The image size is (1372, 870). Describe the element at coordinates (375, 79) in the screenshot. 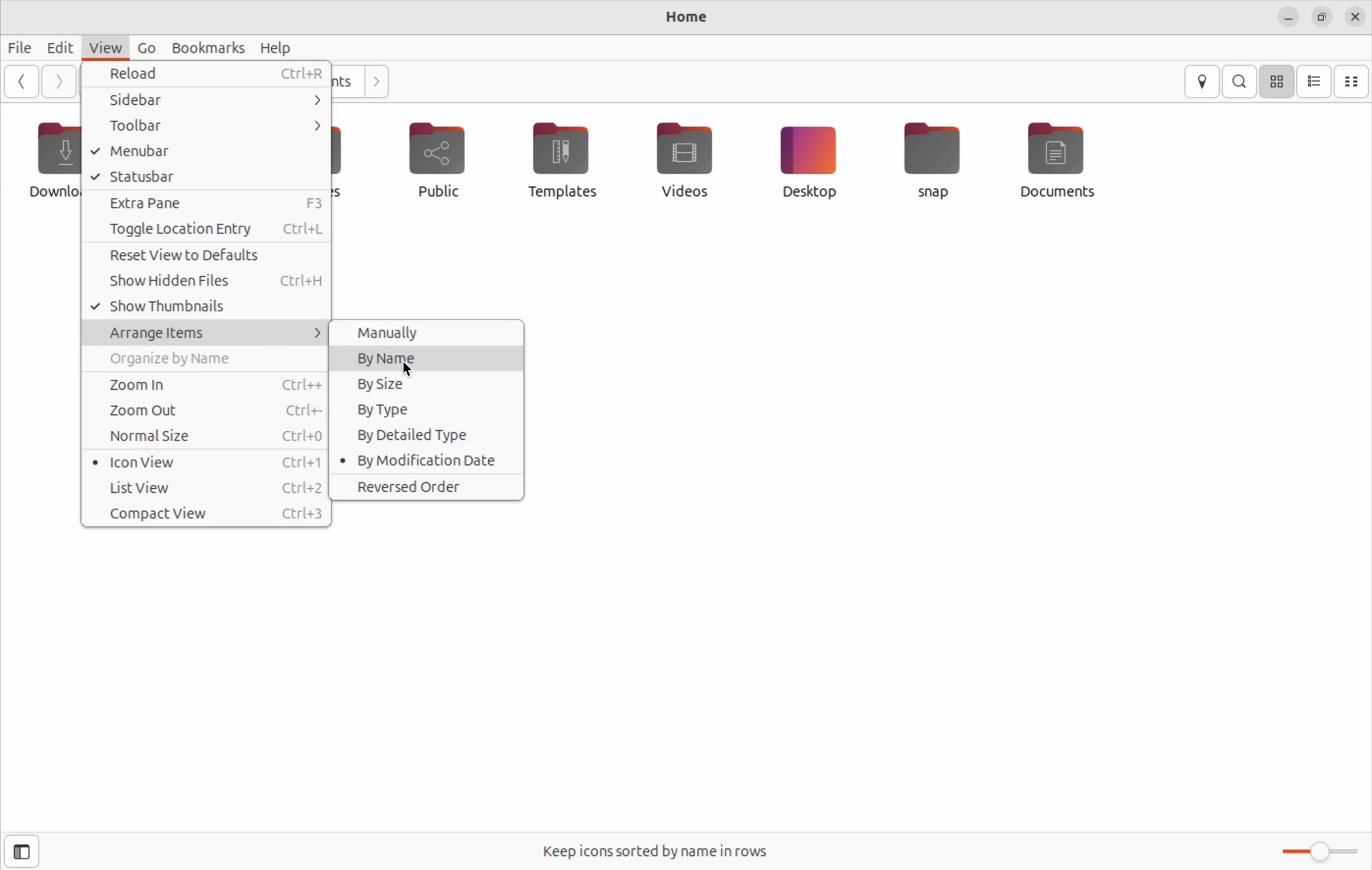

I see `Go next` at that location.